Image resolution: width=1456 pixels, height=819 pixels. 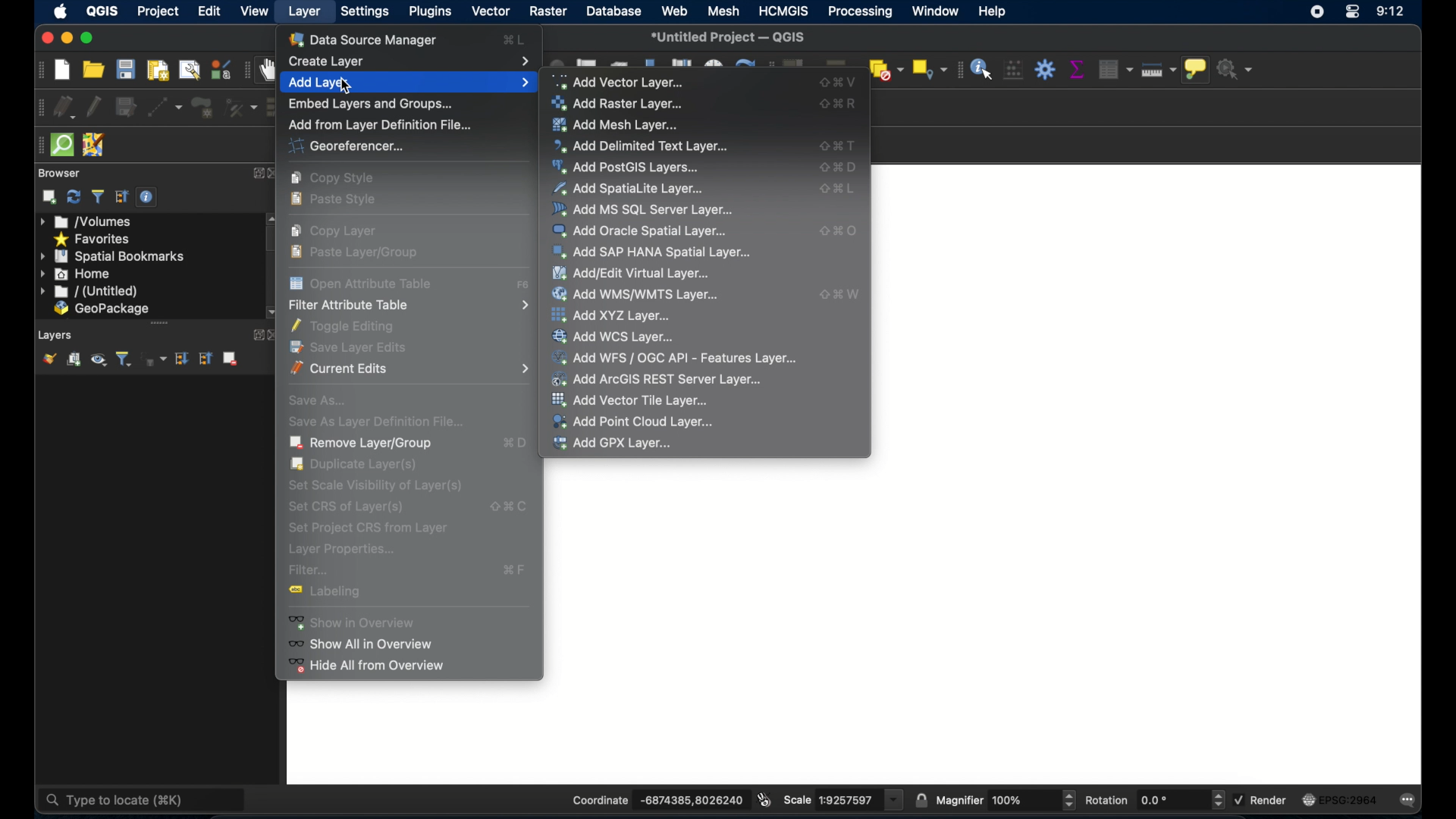 What do you see at coordinates (707, 230) in the screenshot?
I see `Add Oracle Spatial Layer...` at bounding box center [707, 230].